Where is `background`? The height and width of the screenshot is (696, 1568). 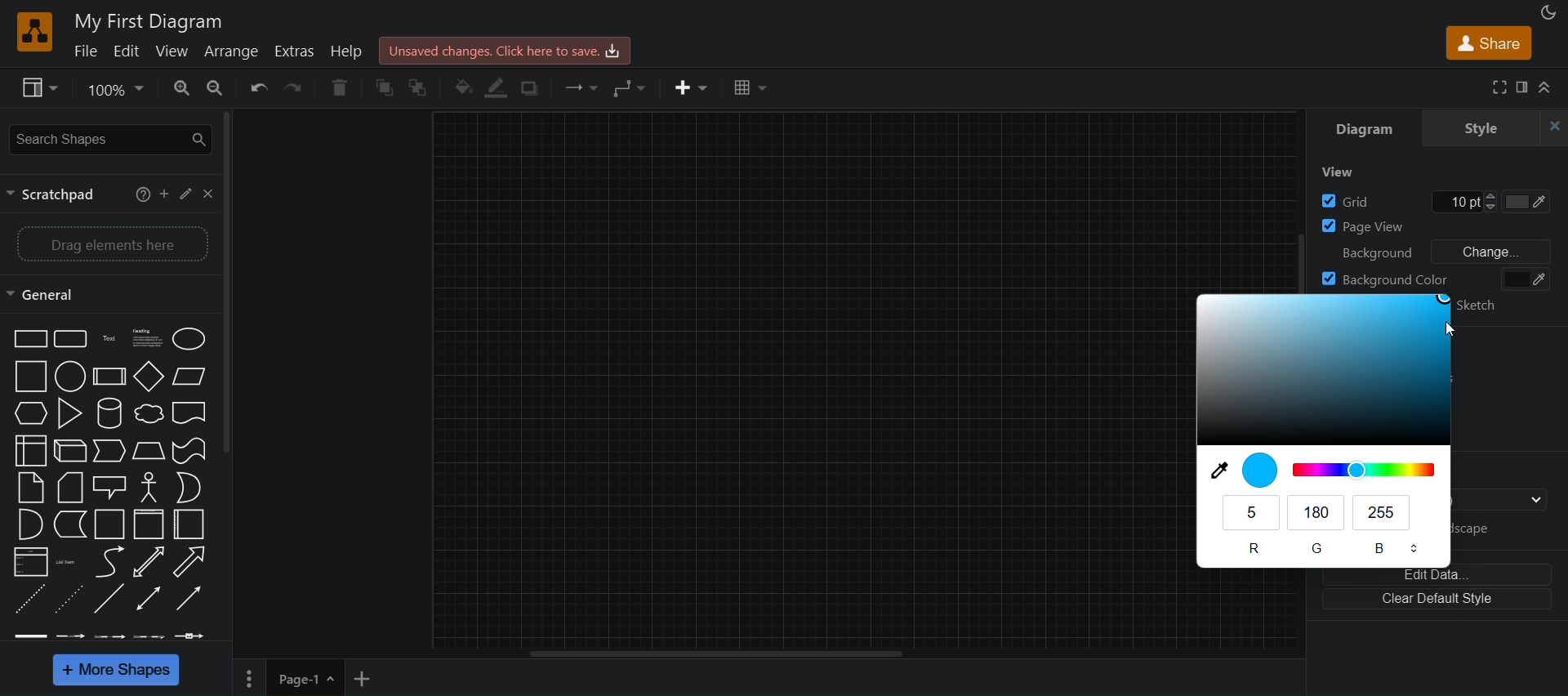
background is located at coordinates (1372, 250).